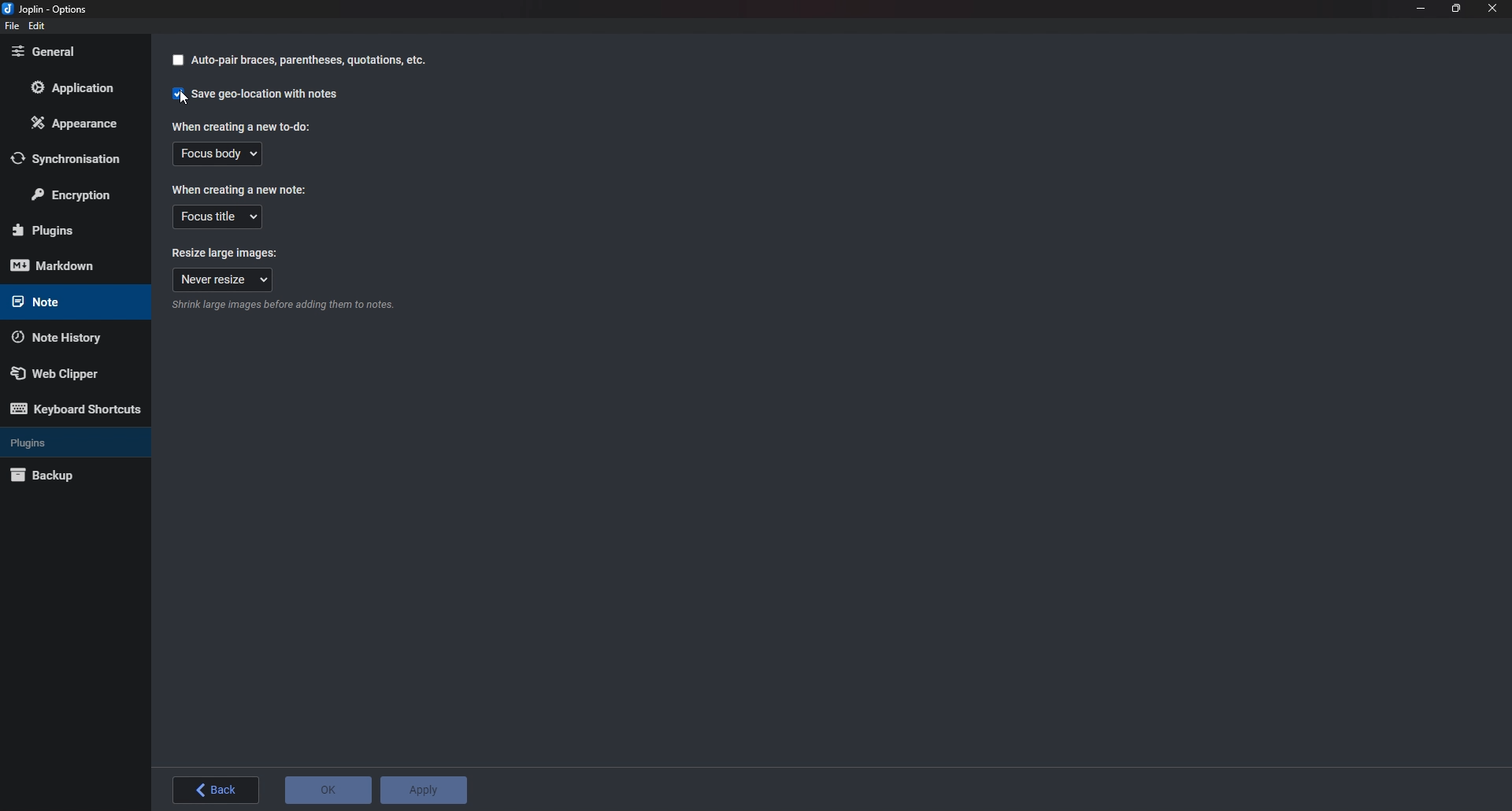 The height and width of the screenshot is (811, 1512). What do you see at coordinates (1421, 7) in the screenshot?
I see `Minimize` at bounding box center [1421, 7].